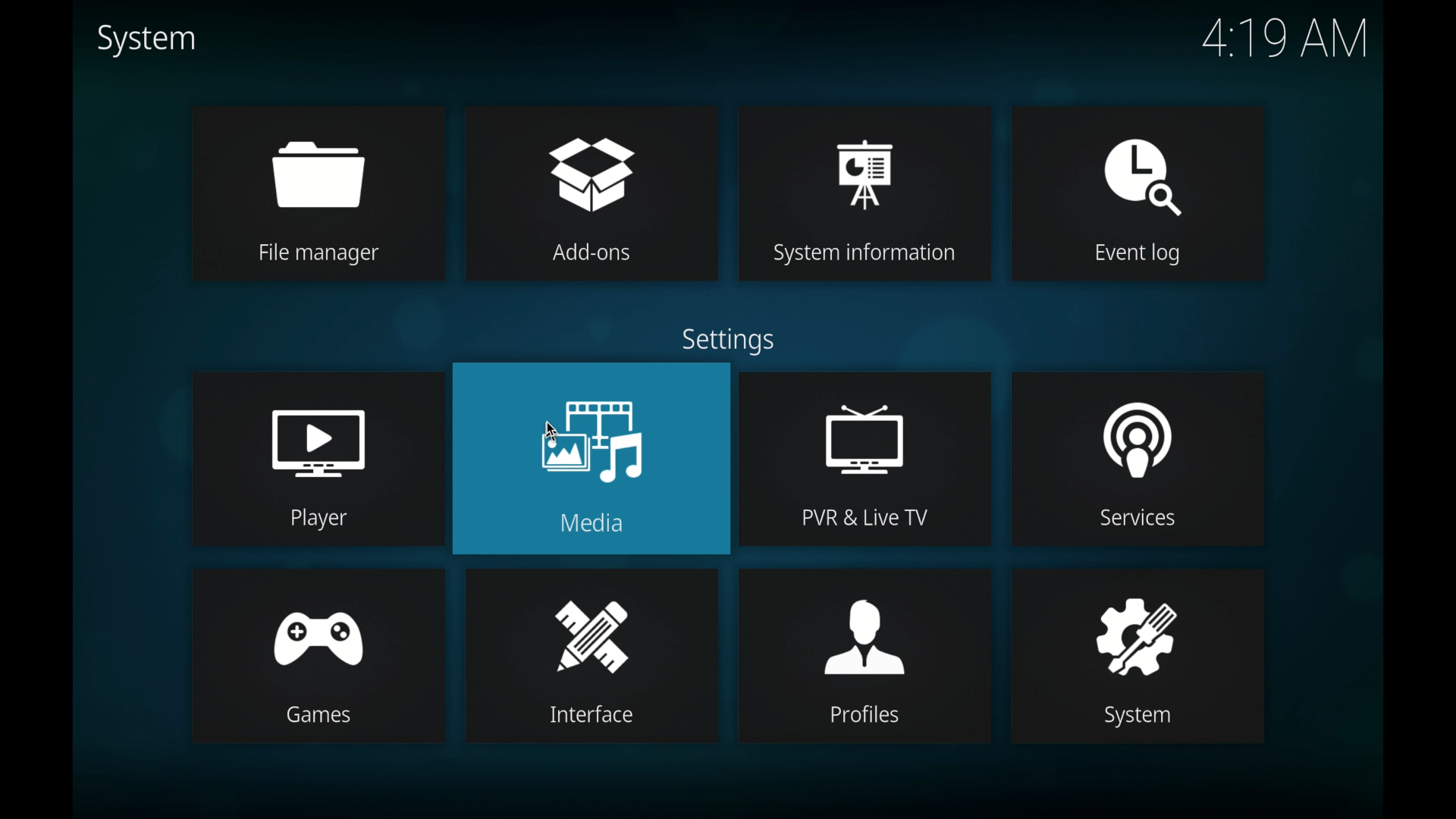 This screenshot has height=819, width=1456. What do you see at coordinates (315, 194) in the screenshot?
I see `file manager` at bounding box center [315, 194].